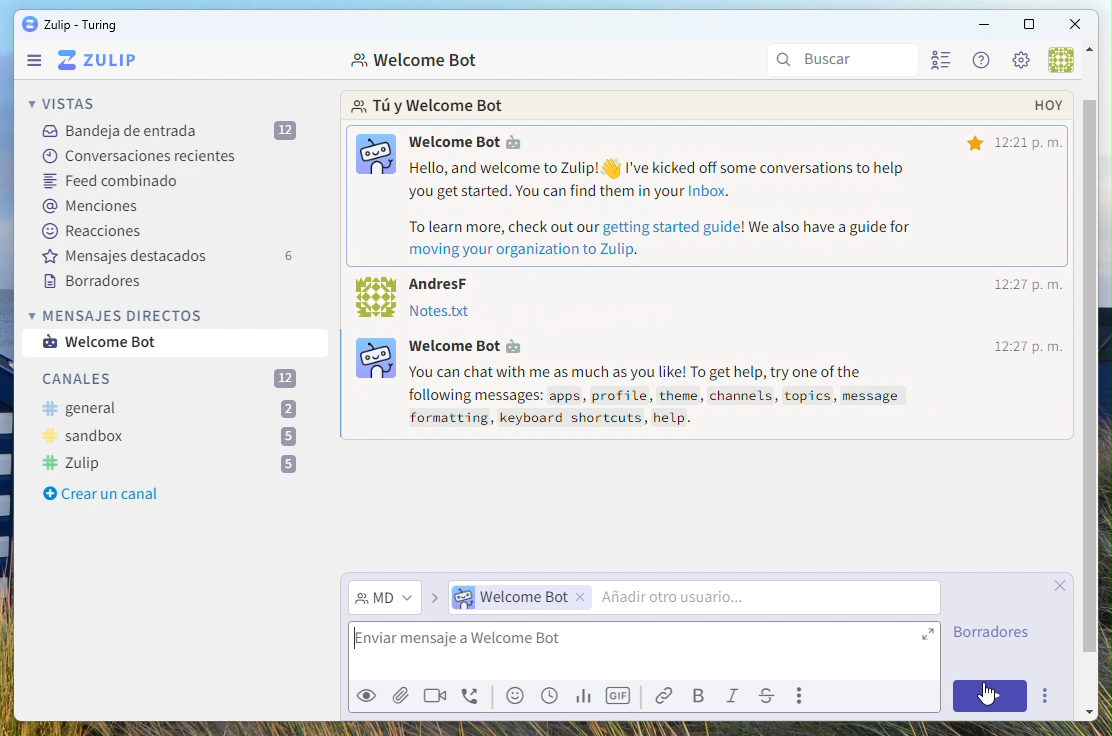 The height and width of the screenshot is (736, 1112). Describe the element at coordinates (385, 599) in the screenshot. I see `direct messages` at that location.